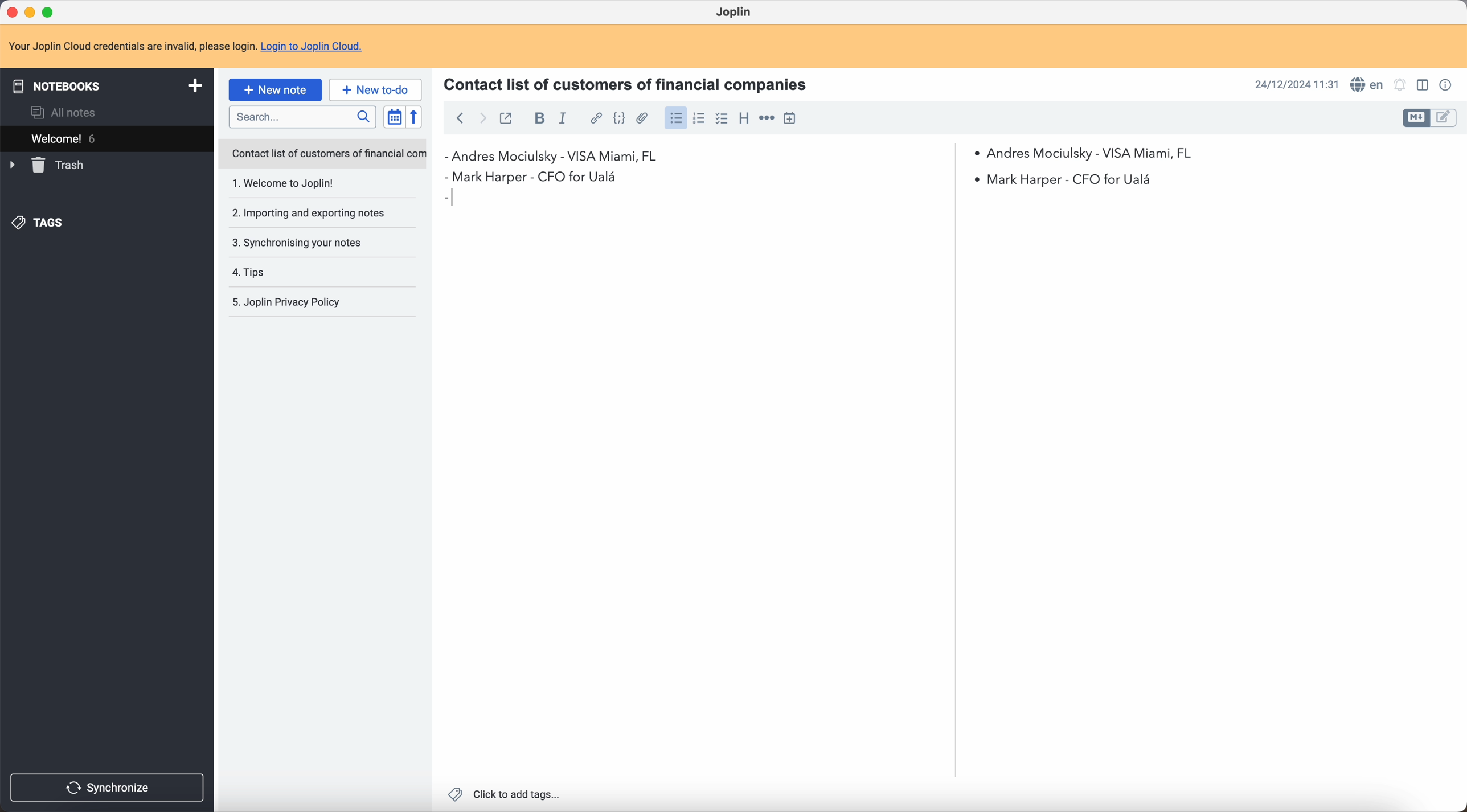  What do you see at coordinates (48, 165) in the screenshot?
I see `trash` at bounding box center [48, 165].